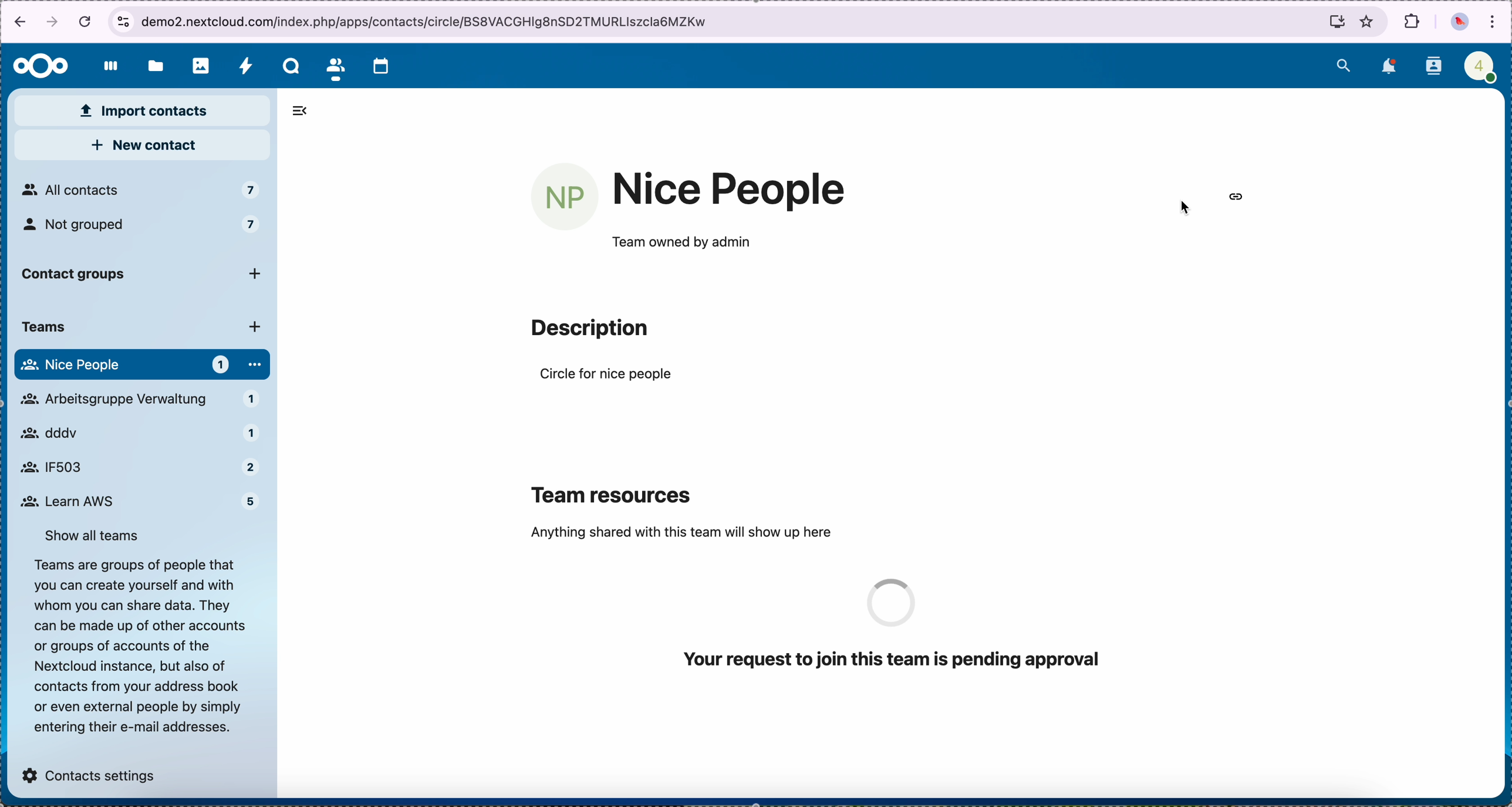 Image resolution: width=1512 pixels, height=807 pixels. What do you see at coordinates (428, 21) in the screenshot?
I see `URL` at bounding box center [428, 21].